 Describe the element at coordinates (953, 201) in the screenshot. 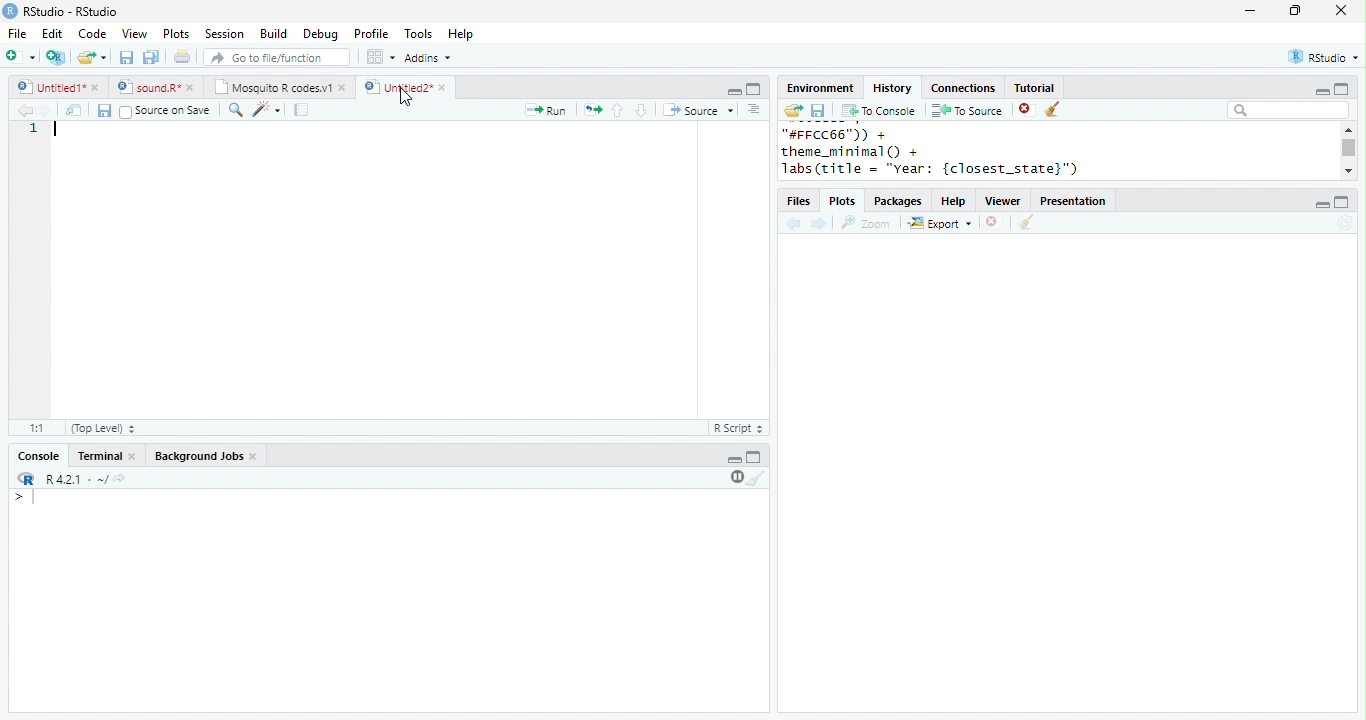

I see `Help` at that location.